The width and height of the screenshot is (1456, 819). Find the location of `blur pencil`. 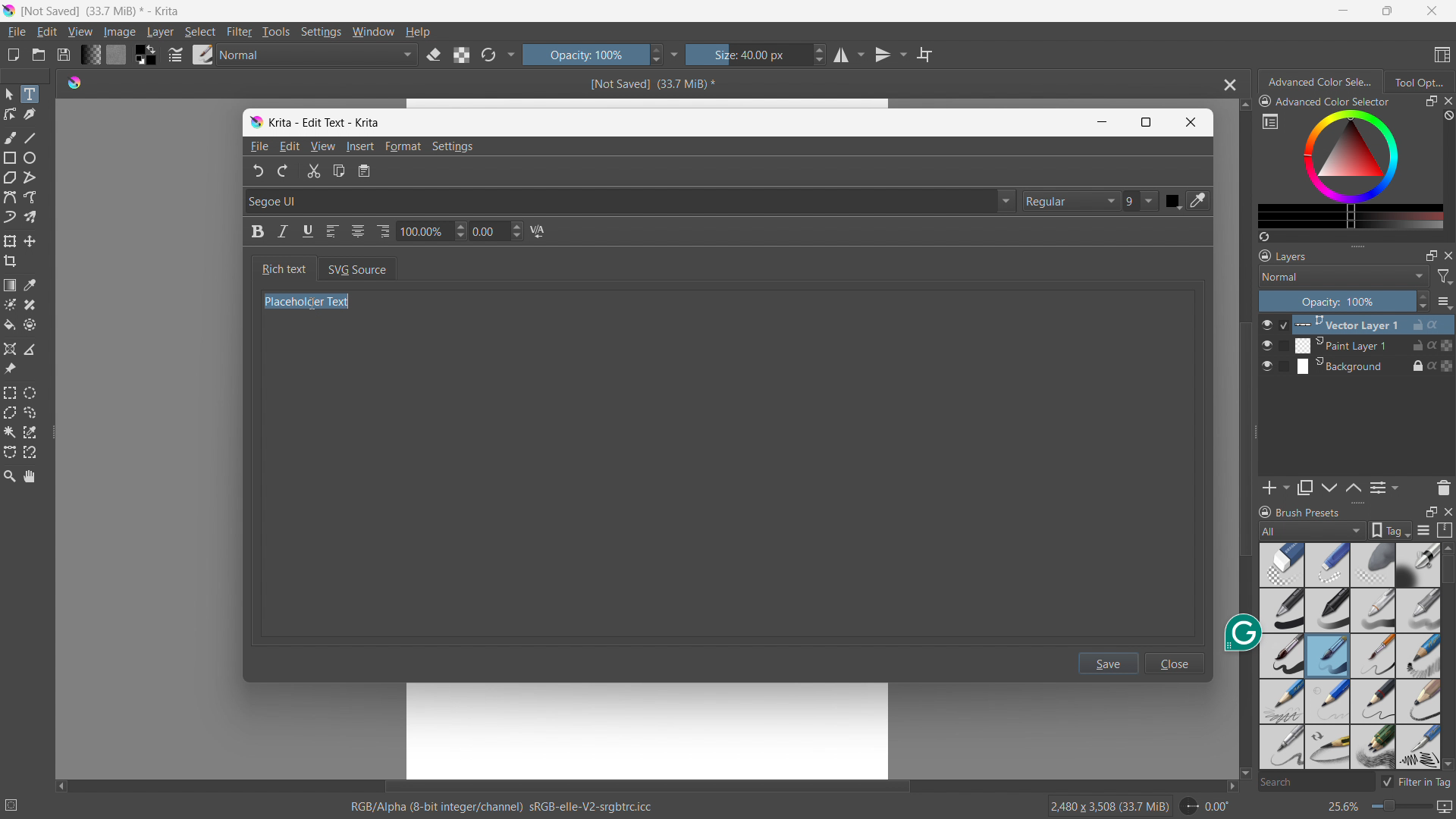

blur pencil is located at coordinates (1418, 609).